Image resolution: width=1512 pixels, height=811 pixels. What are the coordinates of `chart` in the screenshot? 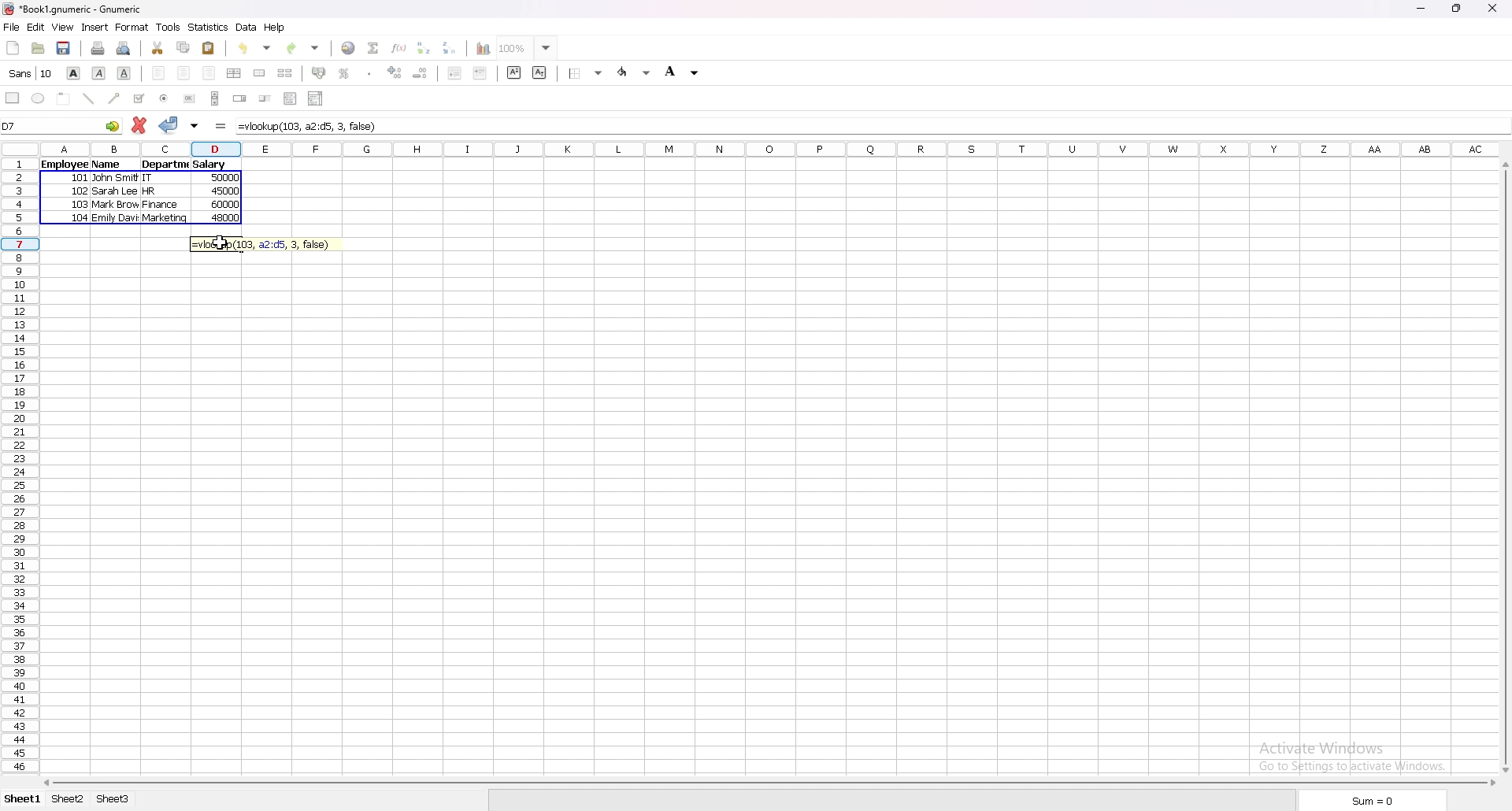 It's located at (484, 49).